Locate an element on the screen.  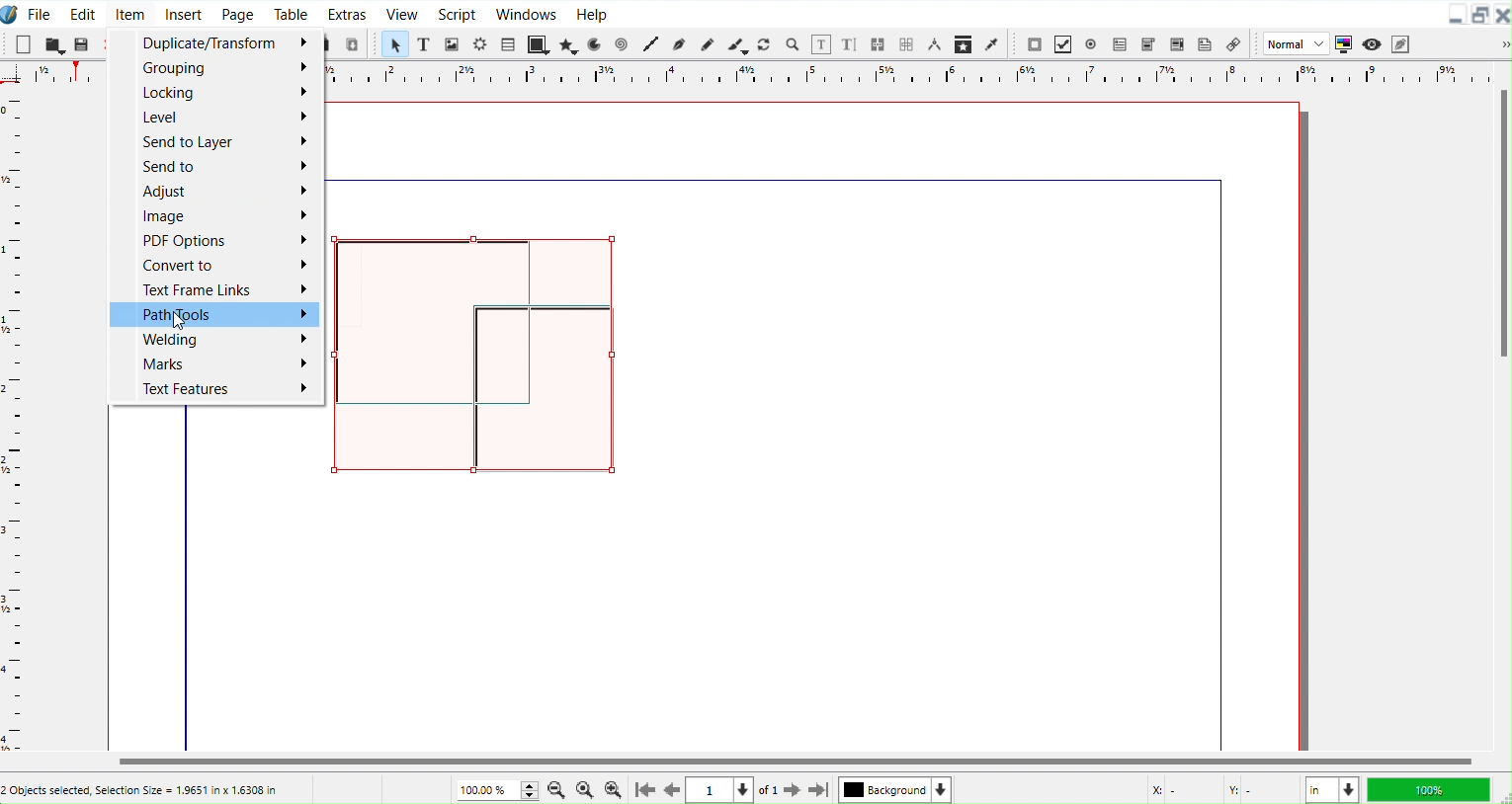
File is located at coordinates (41, 13).